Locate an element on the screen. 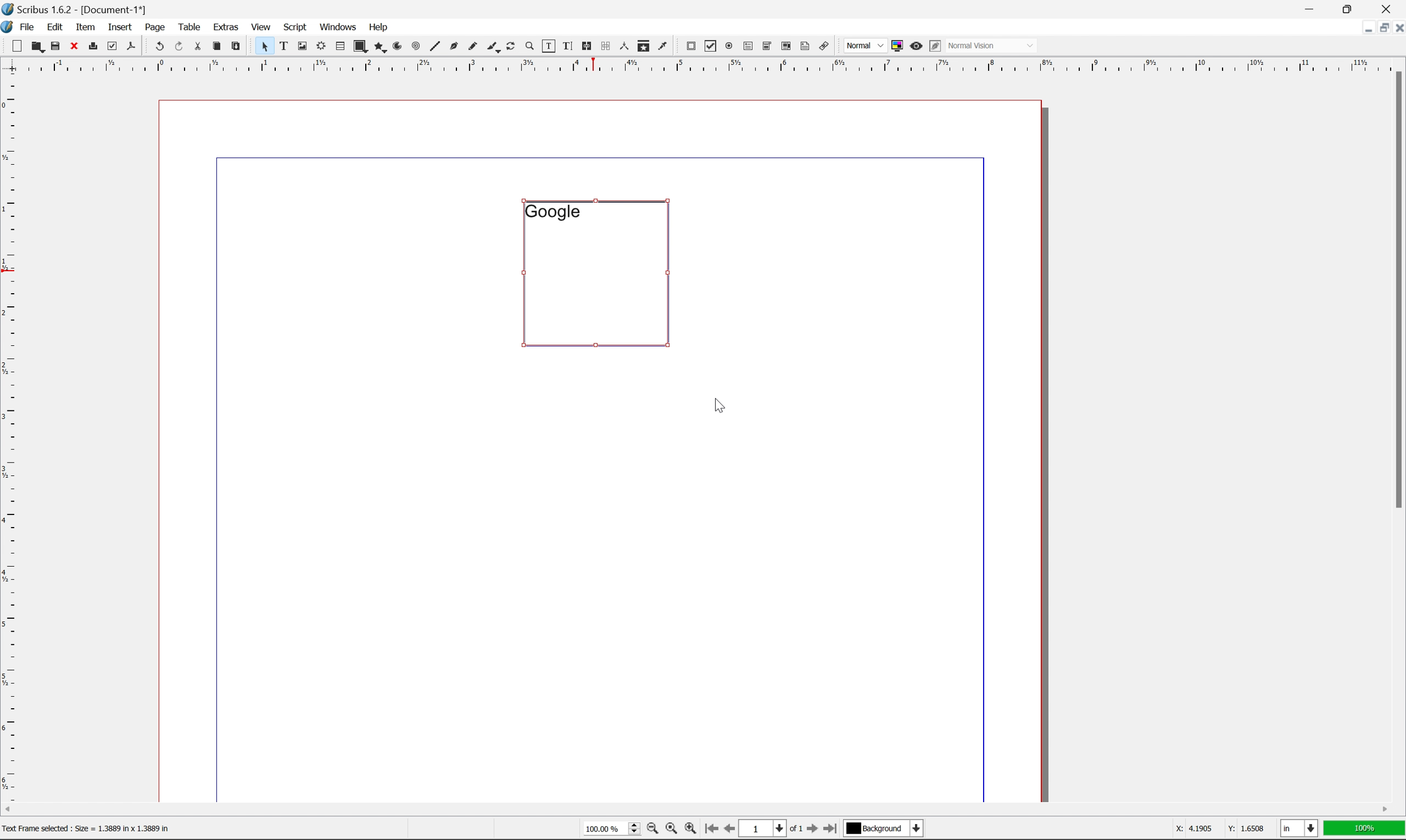 The image size is (1406, 840). help is located at coordinates (378, 27).